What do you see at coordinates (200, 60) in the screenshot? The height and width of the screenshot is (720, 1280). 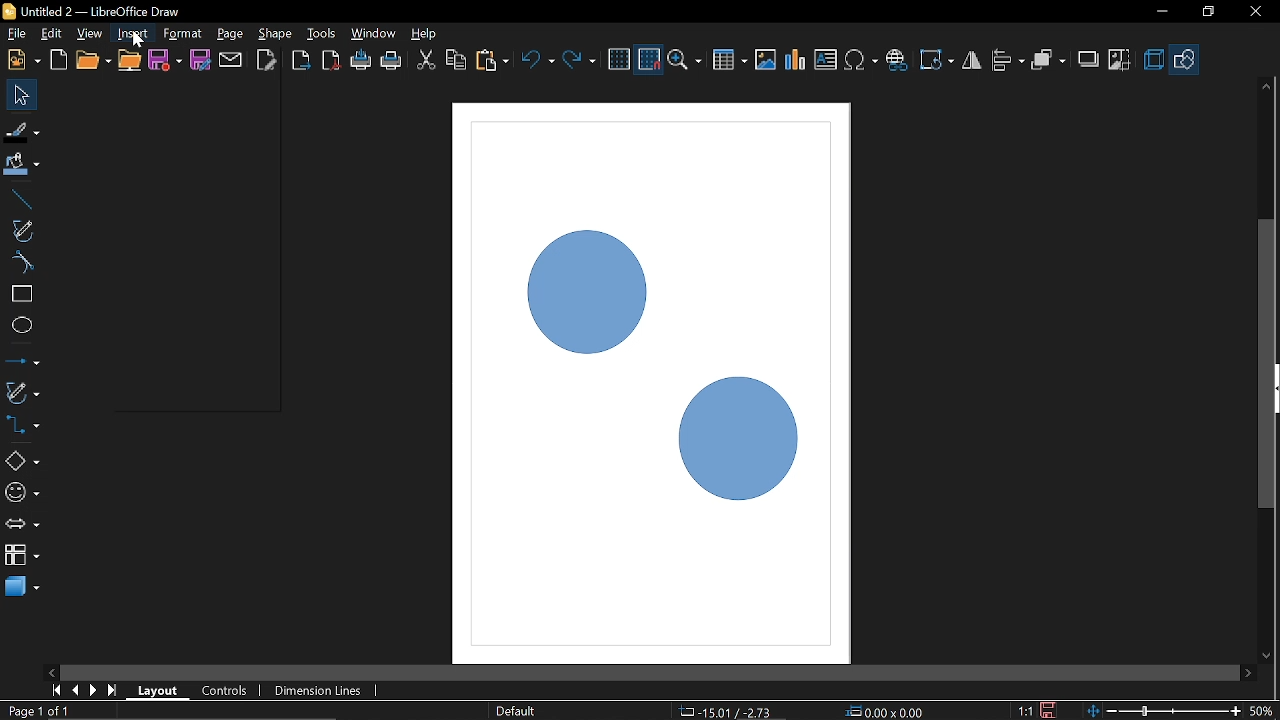 I see `Save as` at bounding box center [200, 60].